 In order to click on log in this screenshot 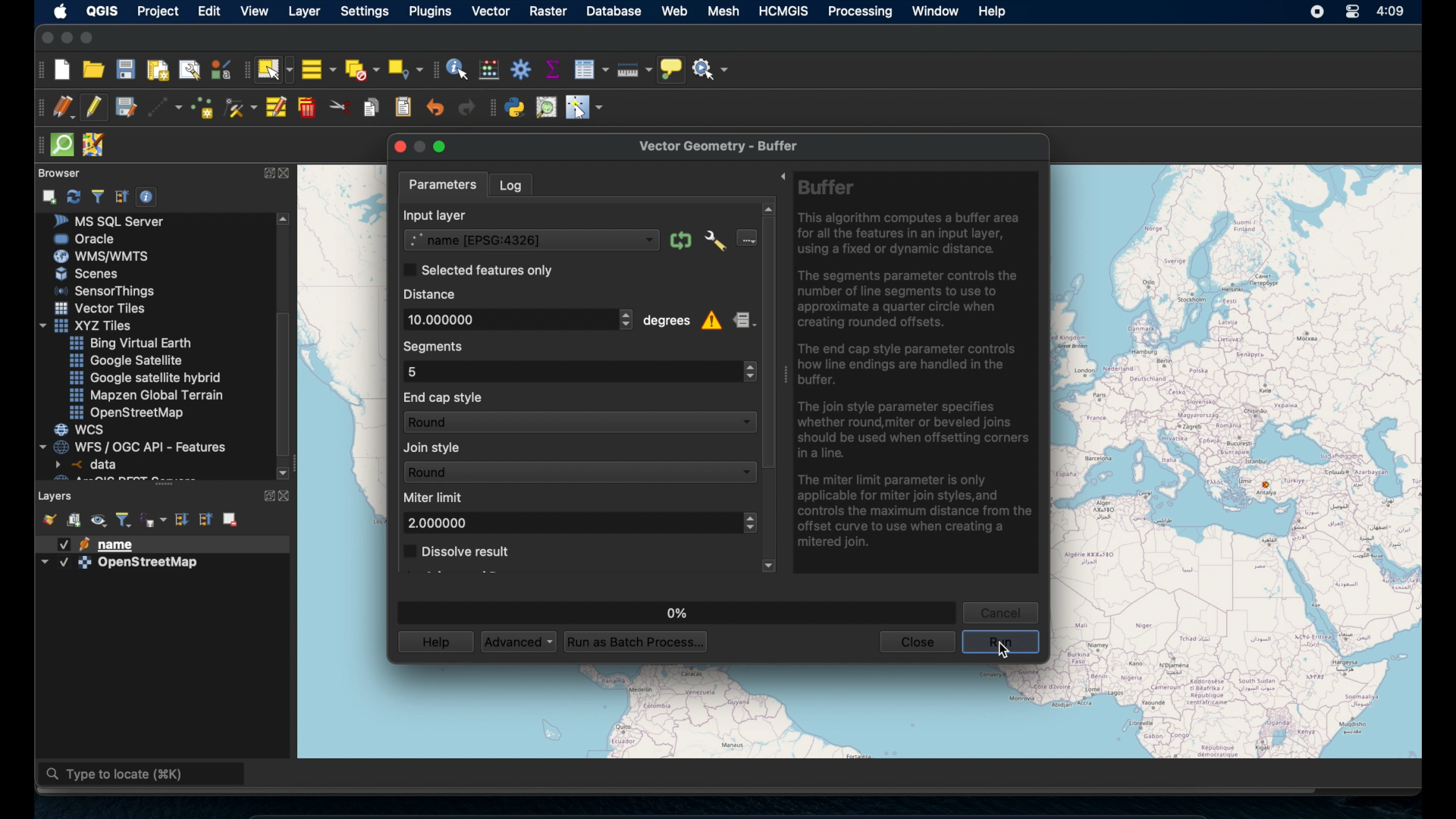, I will do `click(516, 184)`.